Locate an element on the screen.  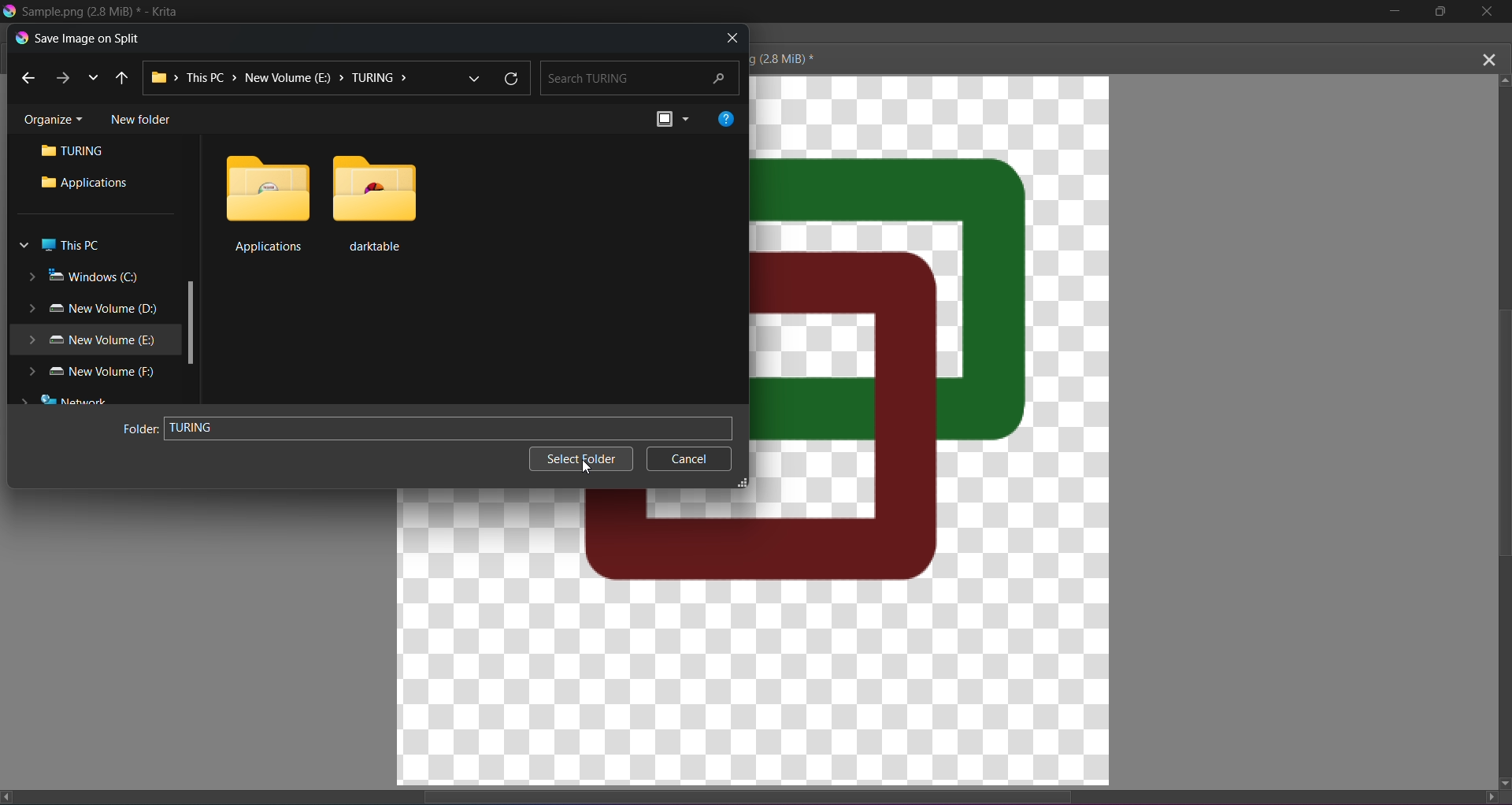
Scroll Down is located at coordinates (1503, 782).